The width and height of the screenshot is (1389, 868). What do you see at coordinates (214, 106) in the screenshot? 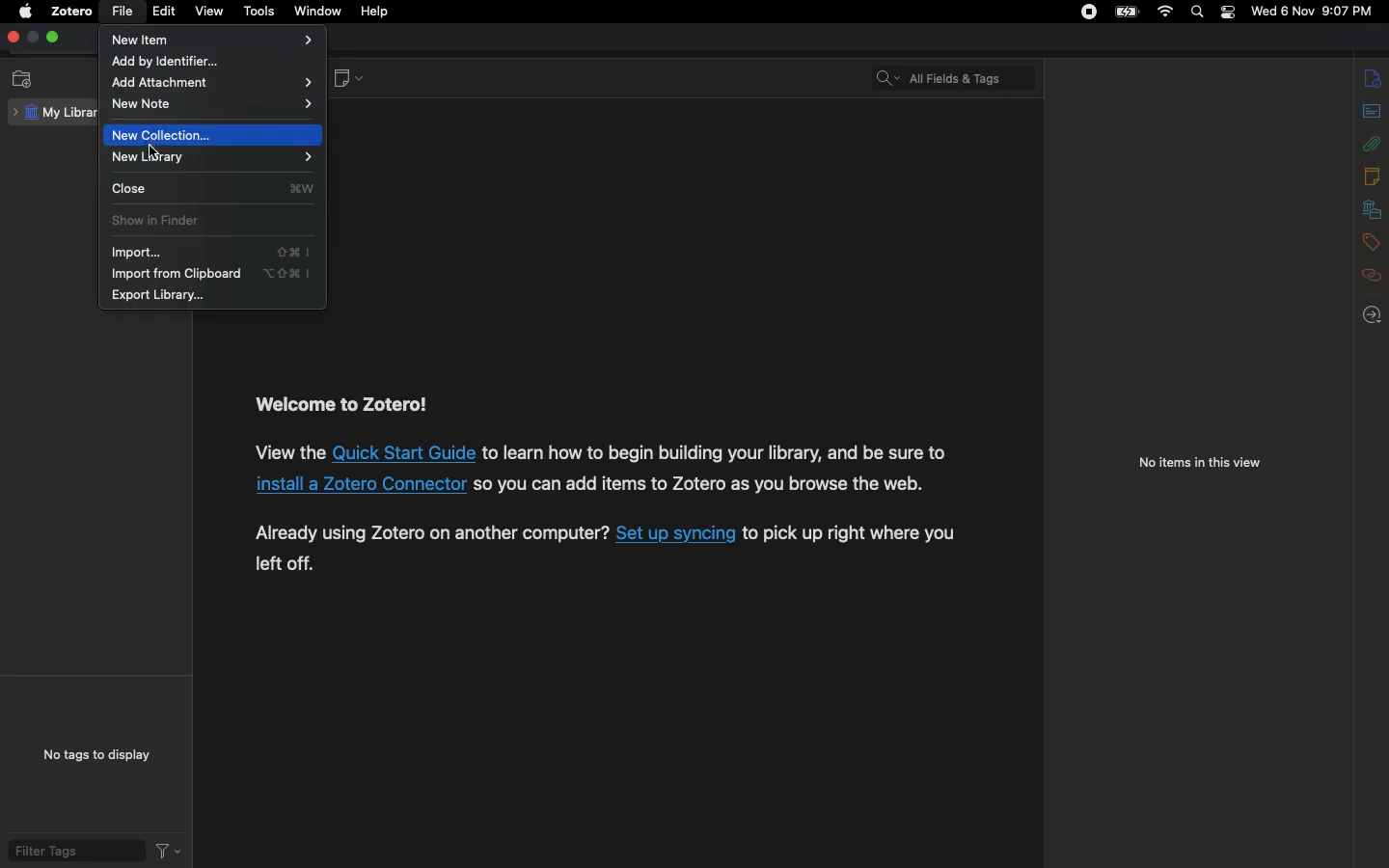
I see `New note` at bounding box center [214, 106].